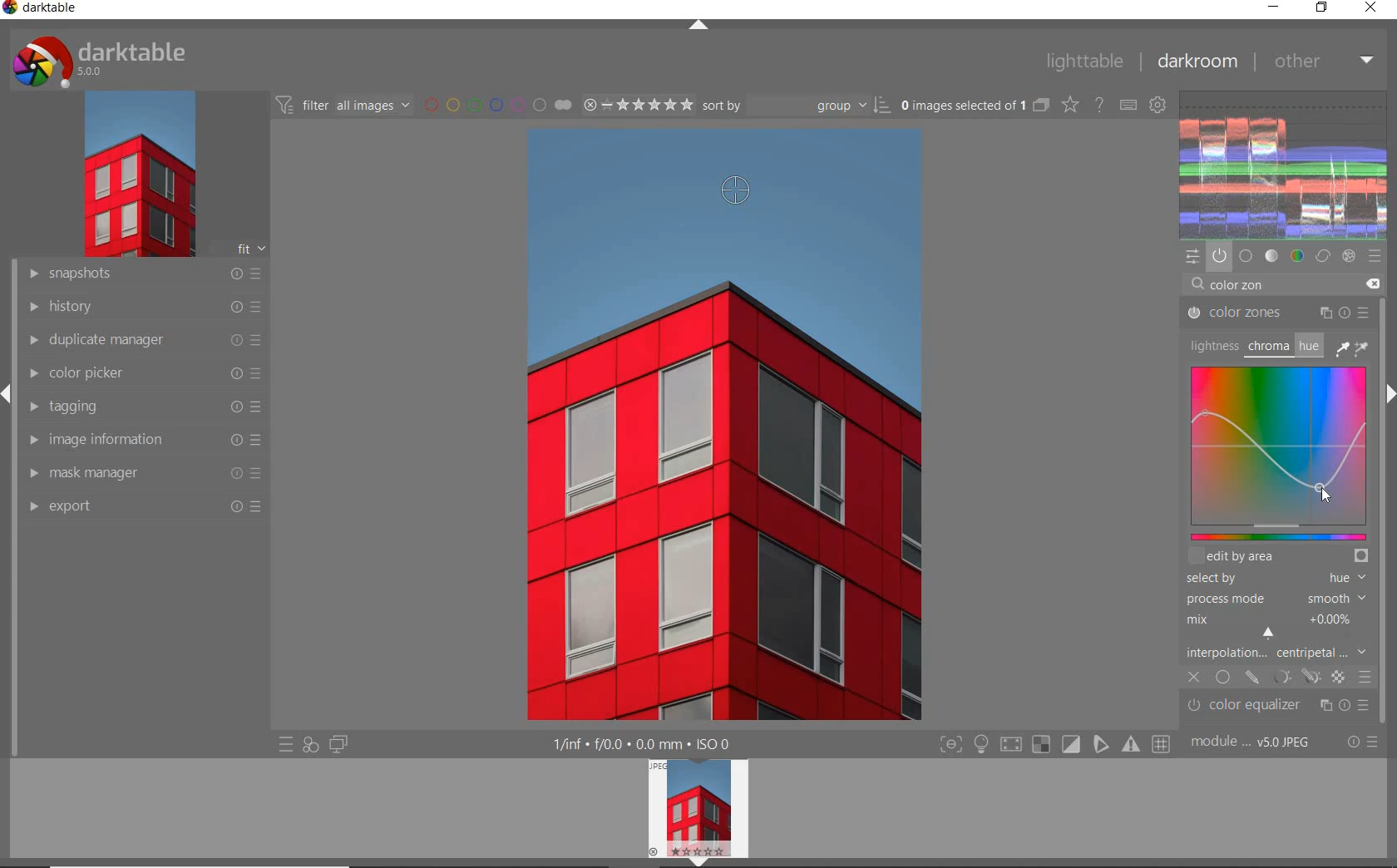 The image size is (1397, 868). What do you see at coordinates (142, 441) in the screenshot?
I see `image information` at bounding box center [142, 441].